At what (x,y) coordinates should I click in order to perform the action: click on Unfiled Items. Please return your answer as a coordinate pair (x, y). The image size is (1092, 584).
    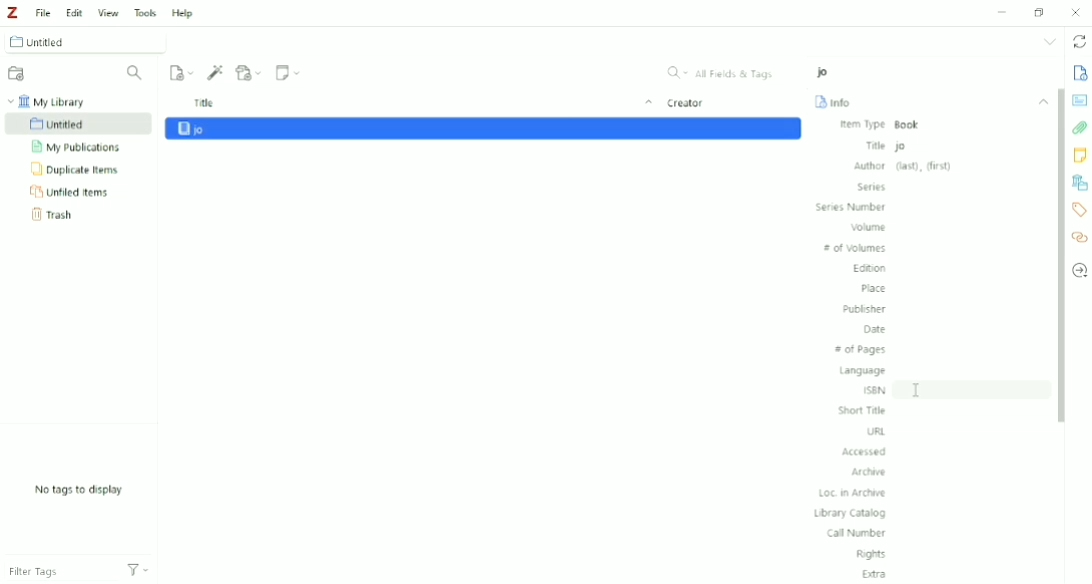
    Looking at the image, I should click on (74, 193).